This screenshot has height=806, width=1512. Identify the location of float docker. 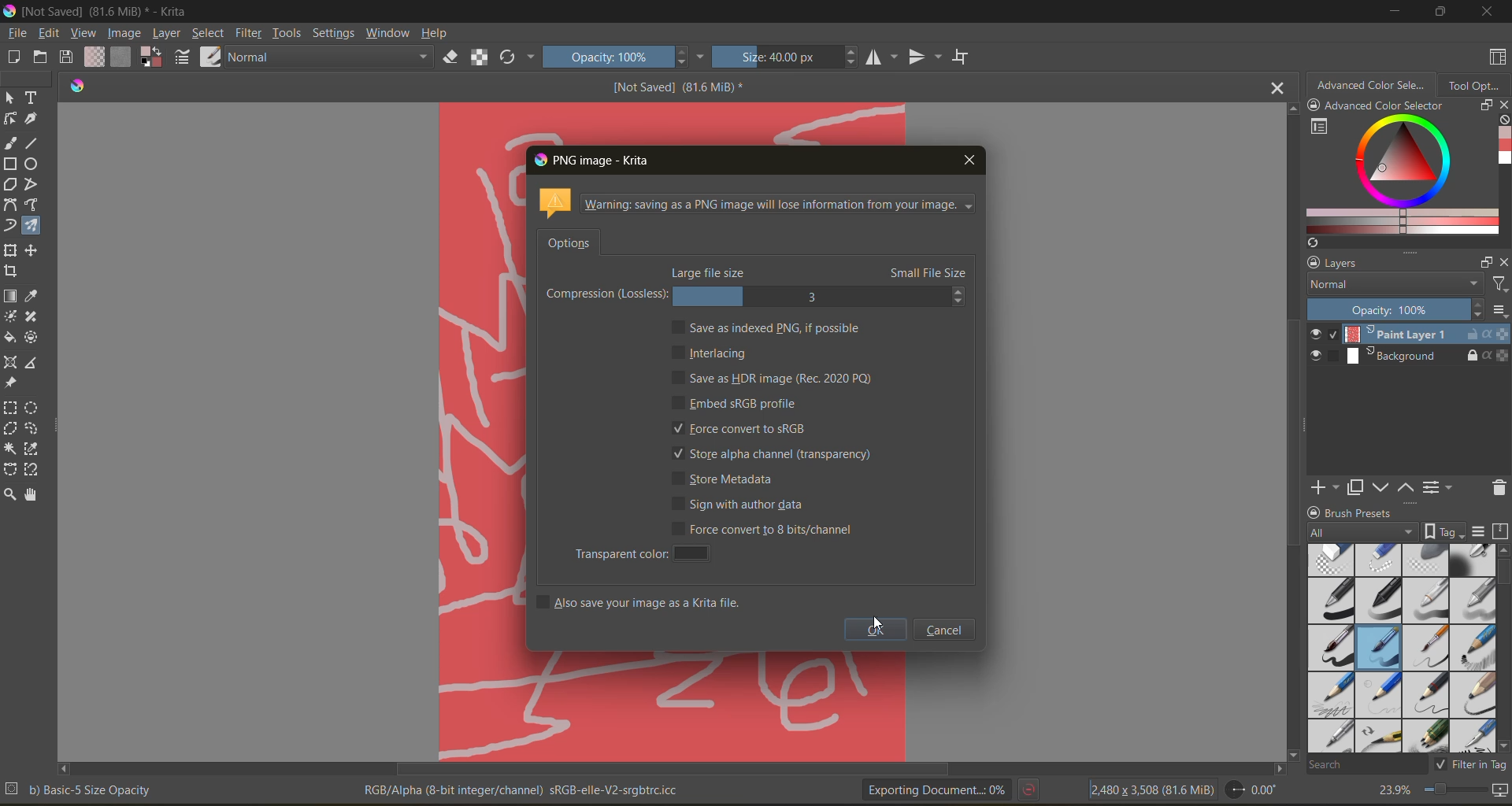
(1486, 263).